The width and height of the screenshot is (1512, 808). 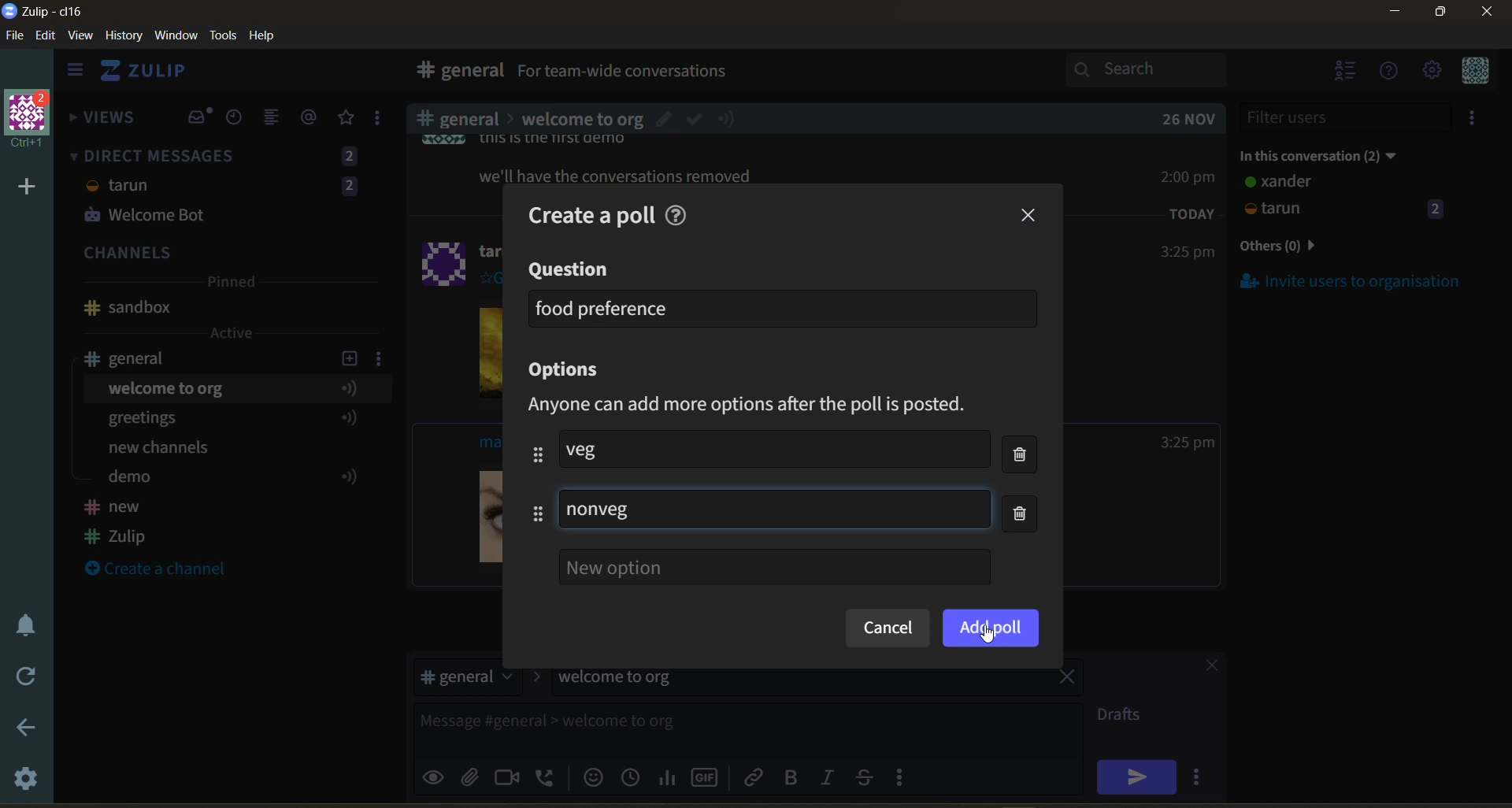 I want to click on , so click(x=614, y=173).